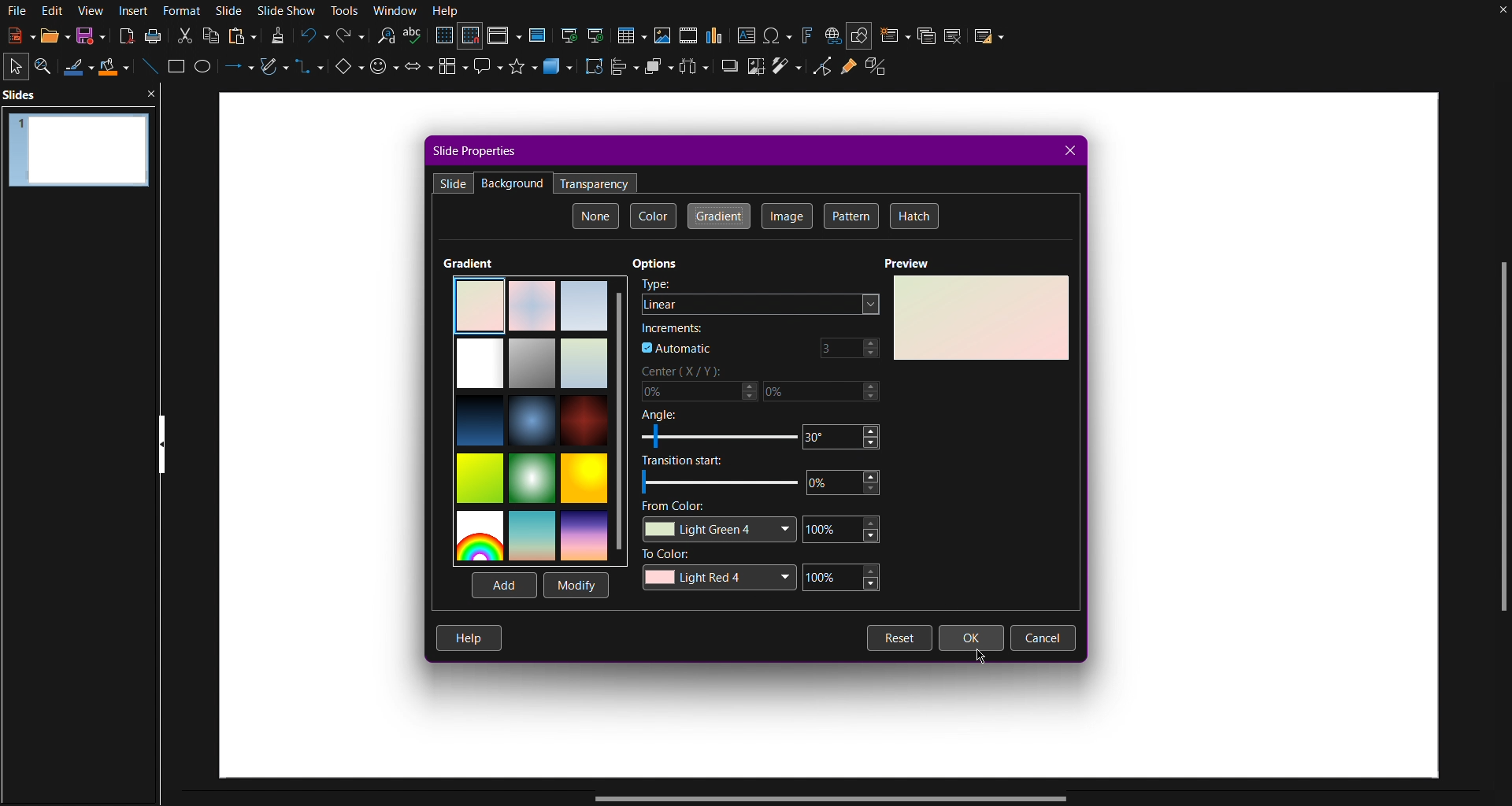 The height and width of the screenshot is (806, 1512). What do you see at coordinates (838, 797) in the screenshot?
I see `Scrollbar` at bounding box center [838, 797].